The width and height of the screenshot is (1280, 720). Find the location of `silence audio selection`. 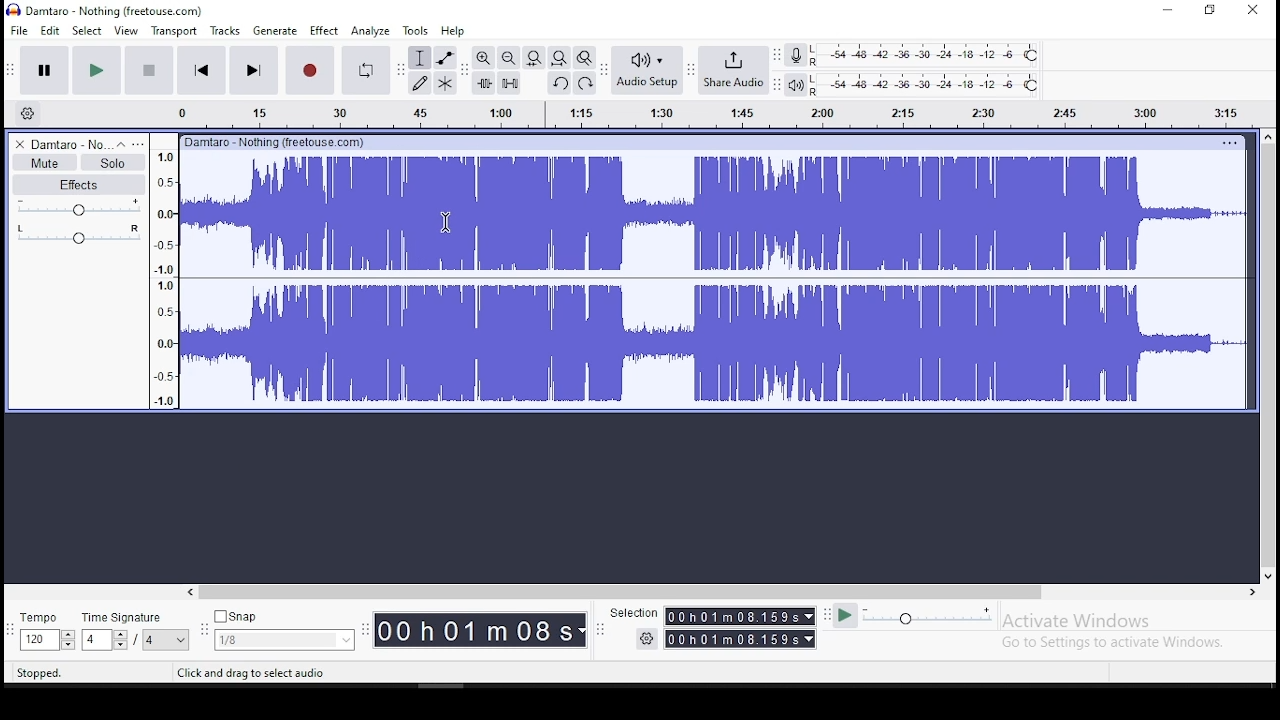

silence audio selection is located at coordinates (510, 82).